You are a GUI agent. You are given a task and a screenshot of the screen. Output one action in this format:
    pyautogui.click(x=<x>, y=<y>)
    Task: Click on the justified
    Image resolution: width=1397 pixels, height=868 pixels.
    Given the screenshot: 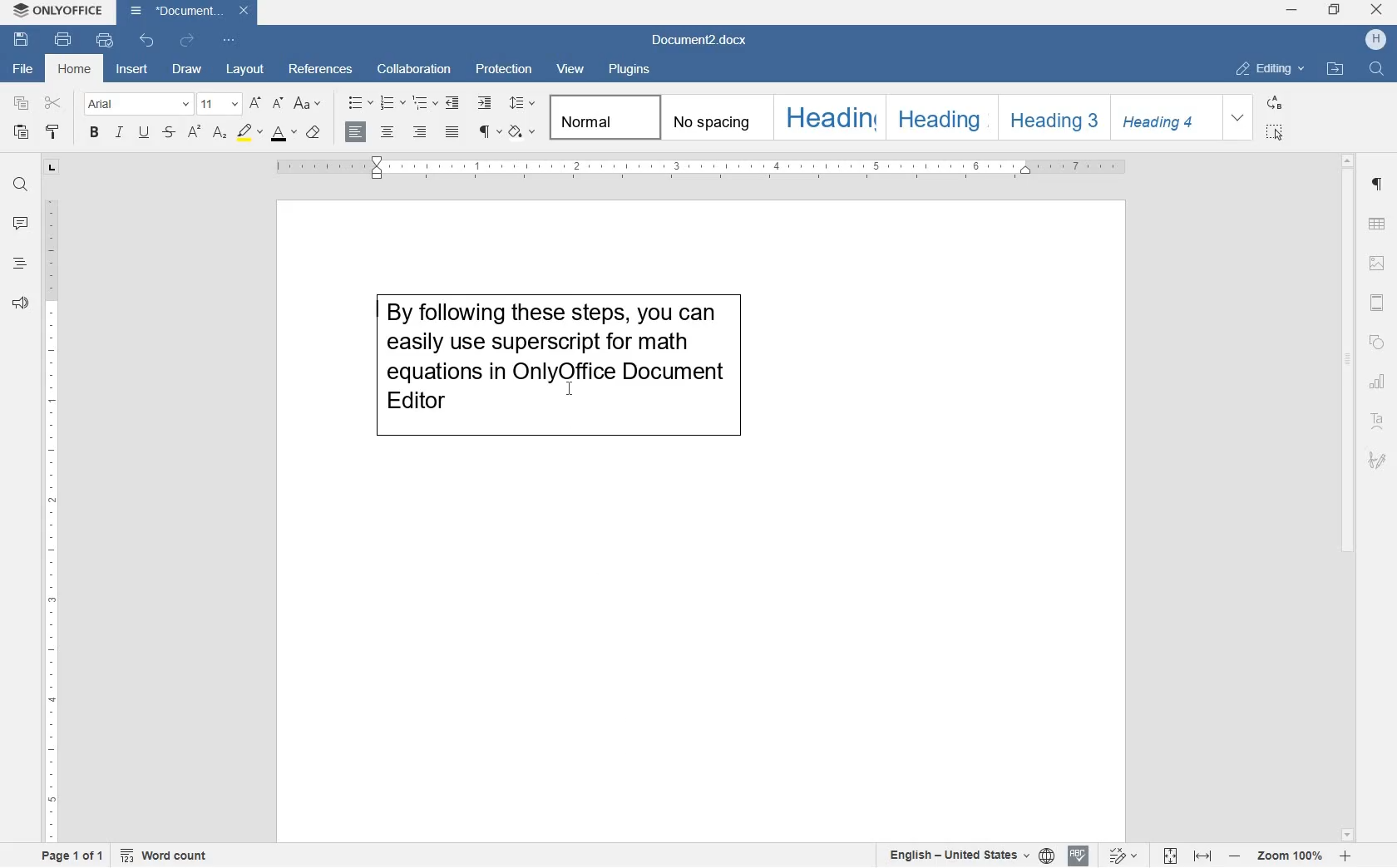 What is the action you would take?
    pyautogui.click(x=455, y=131)
    